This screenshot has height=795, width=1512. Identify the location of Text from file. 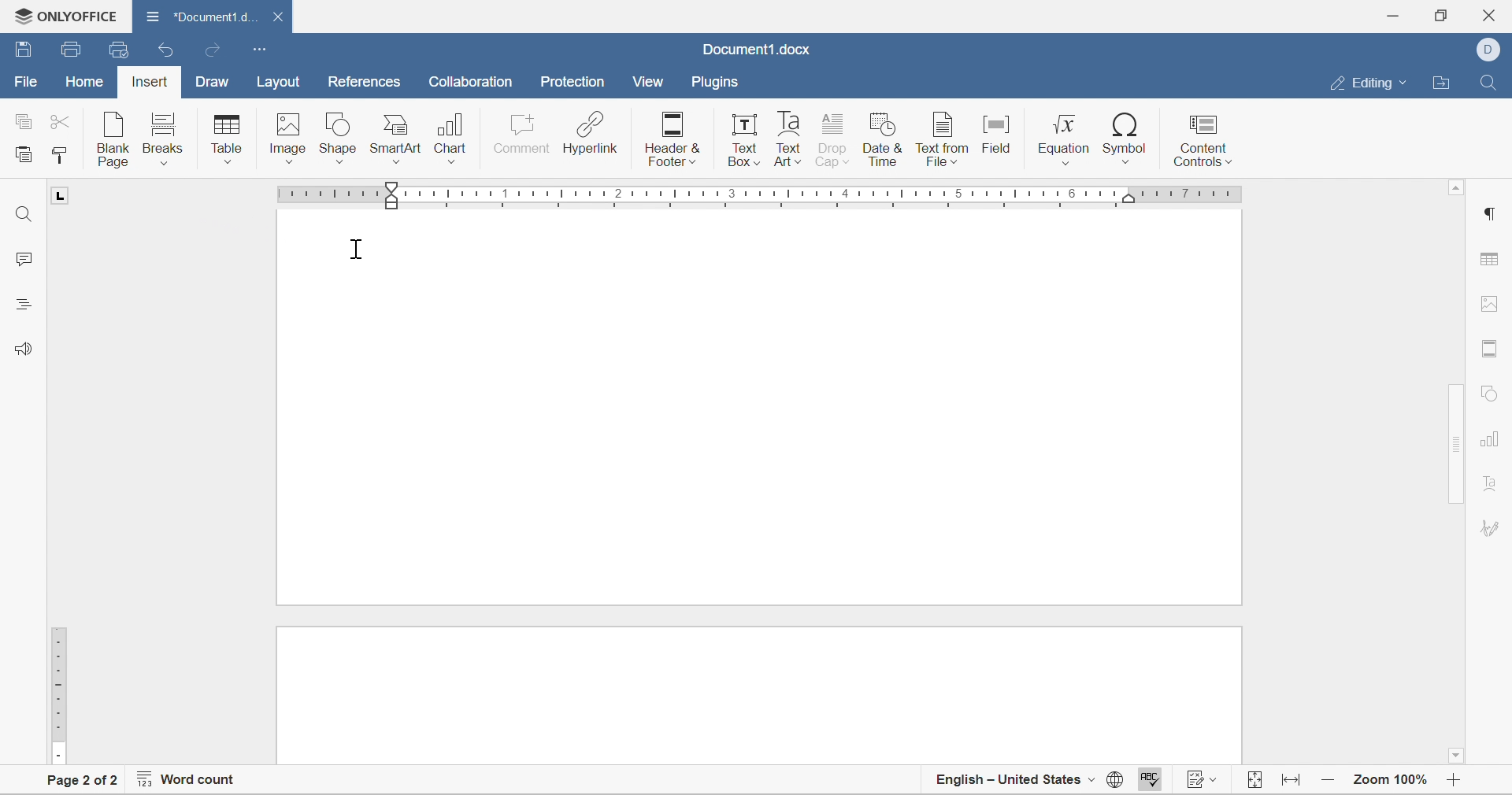
(942, 139).